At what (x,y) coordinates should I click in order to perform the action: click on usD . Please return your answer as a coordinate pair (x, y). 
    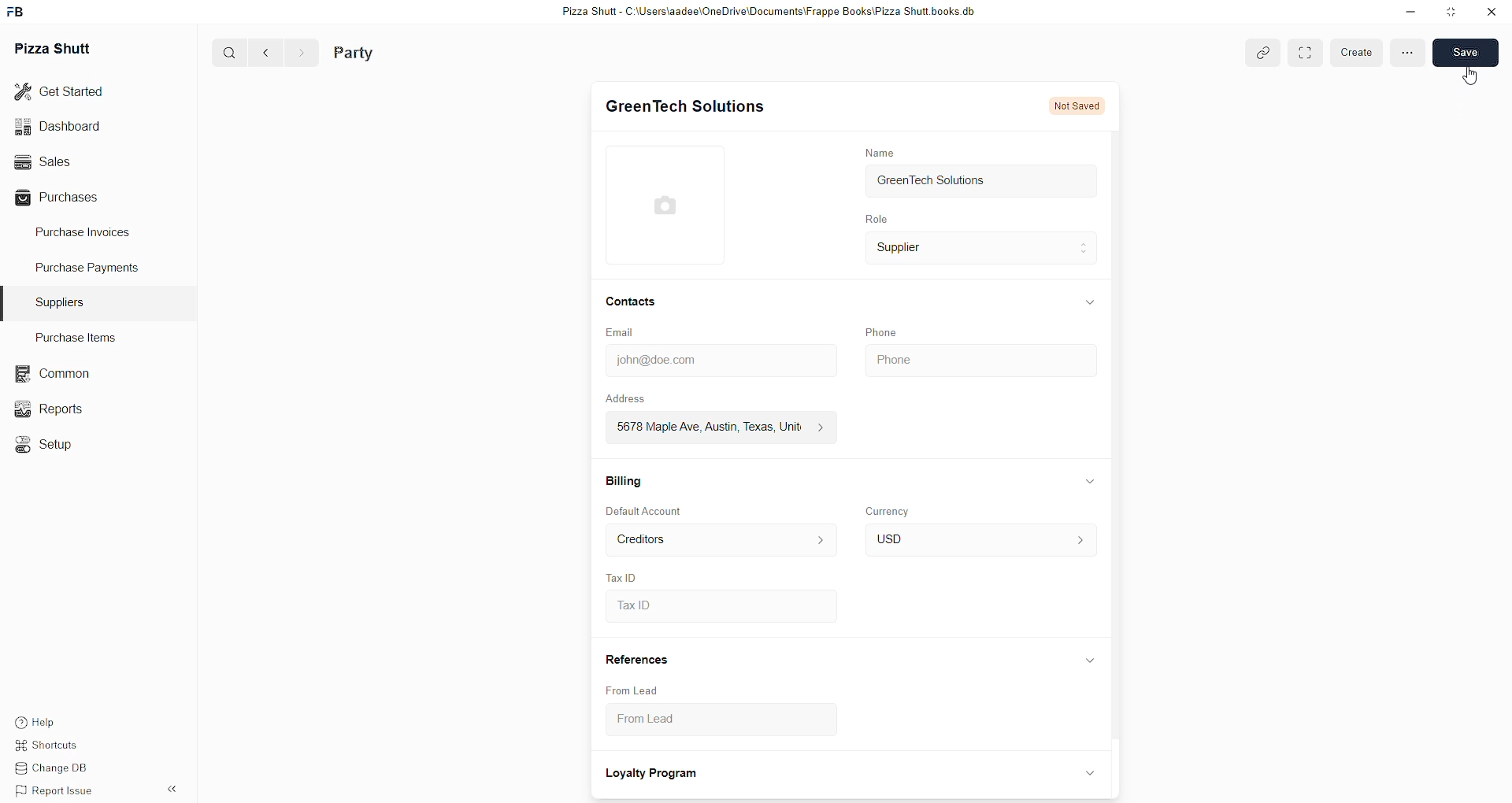
    Looking at the image, I should click on (978, 541).